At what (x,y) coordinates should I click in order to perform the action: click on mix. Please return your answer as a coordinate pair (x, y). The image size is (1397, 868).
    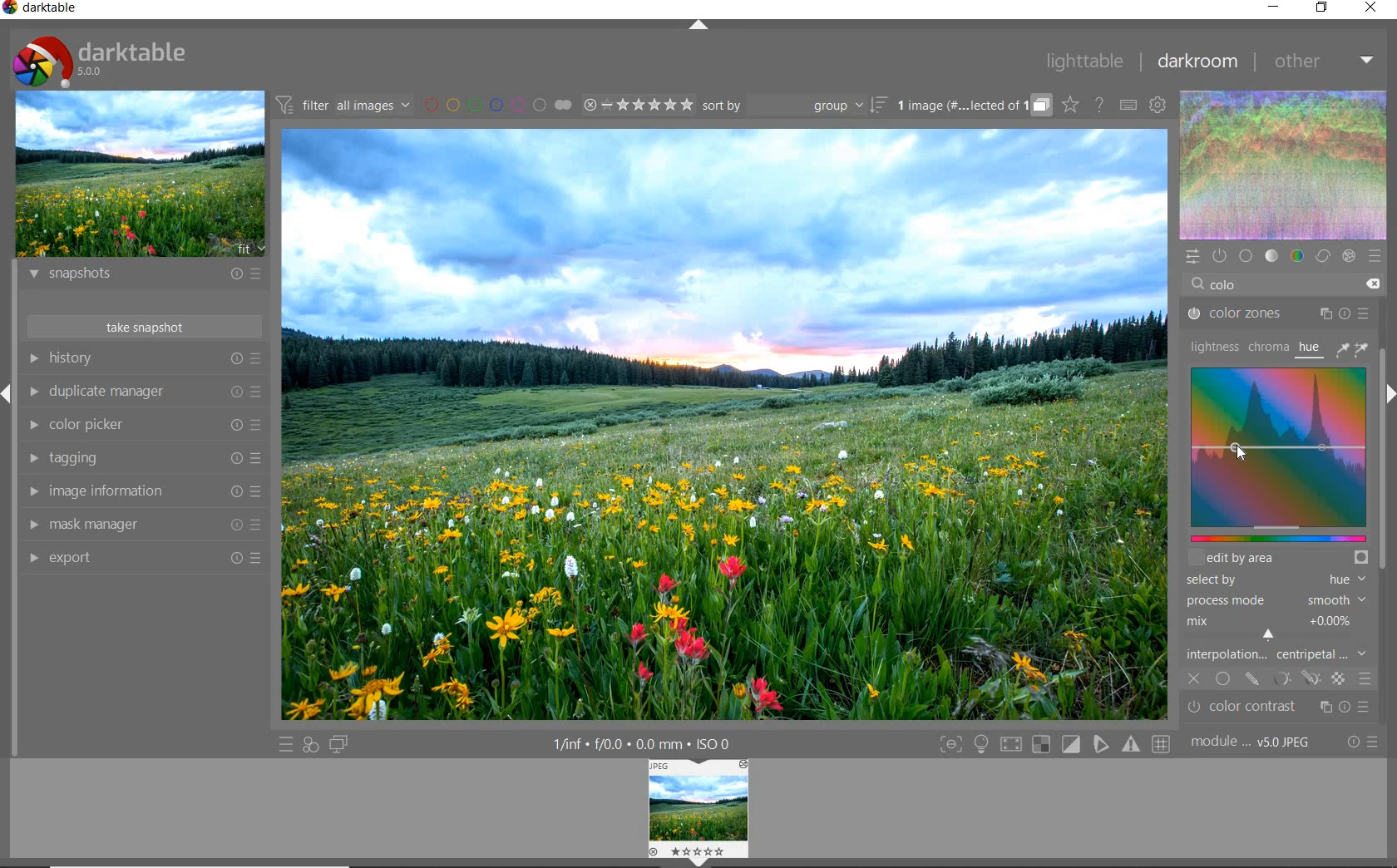
    Looking at the image, I should click on (1279, 628).